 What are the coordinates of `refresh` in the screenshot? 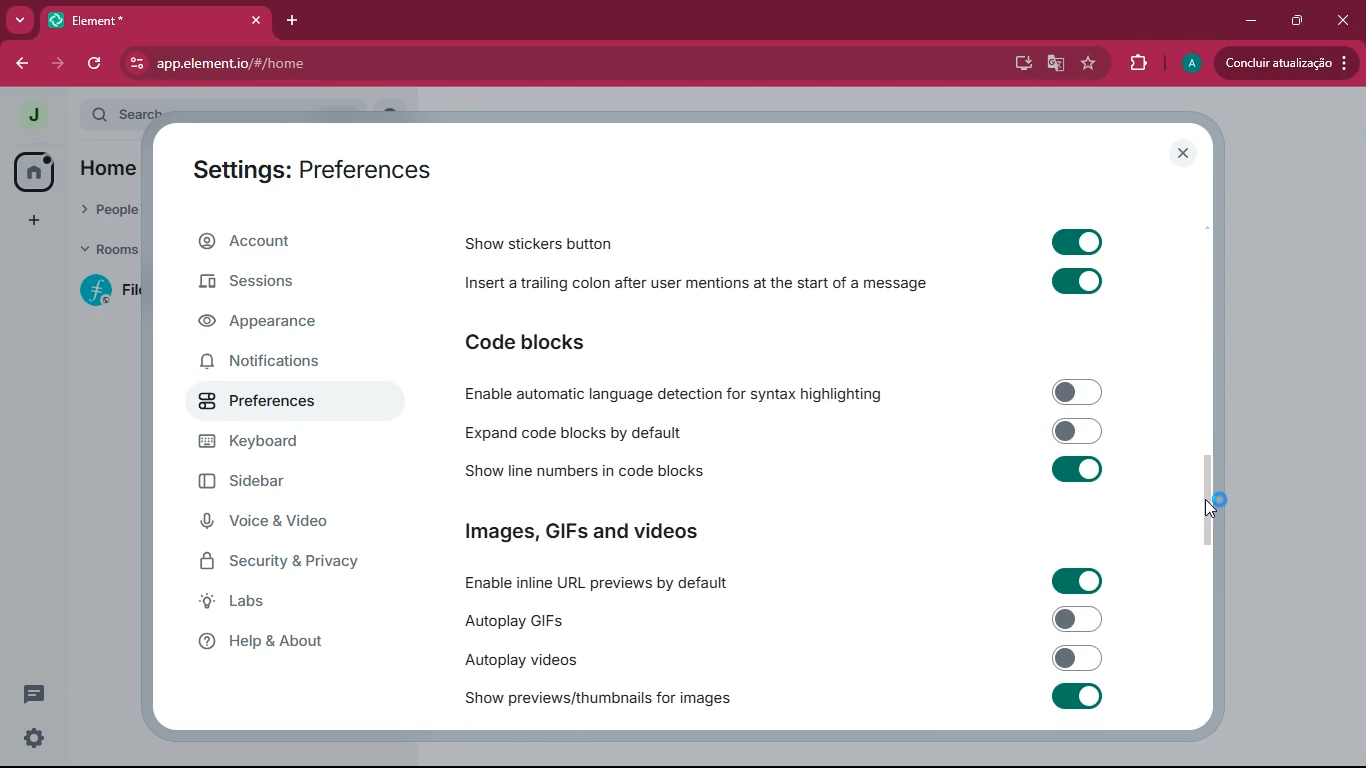 It's located at (92, 64).